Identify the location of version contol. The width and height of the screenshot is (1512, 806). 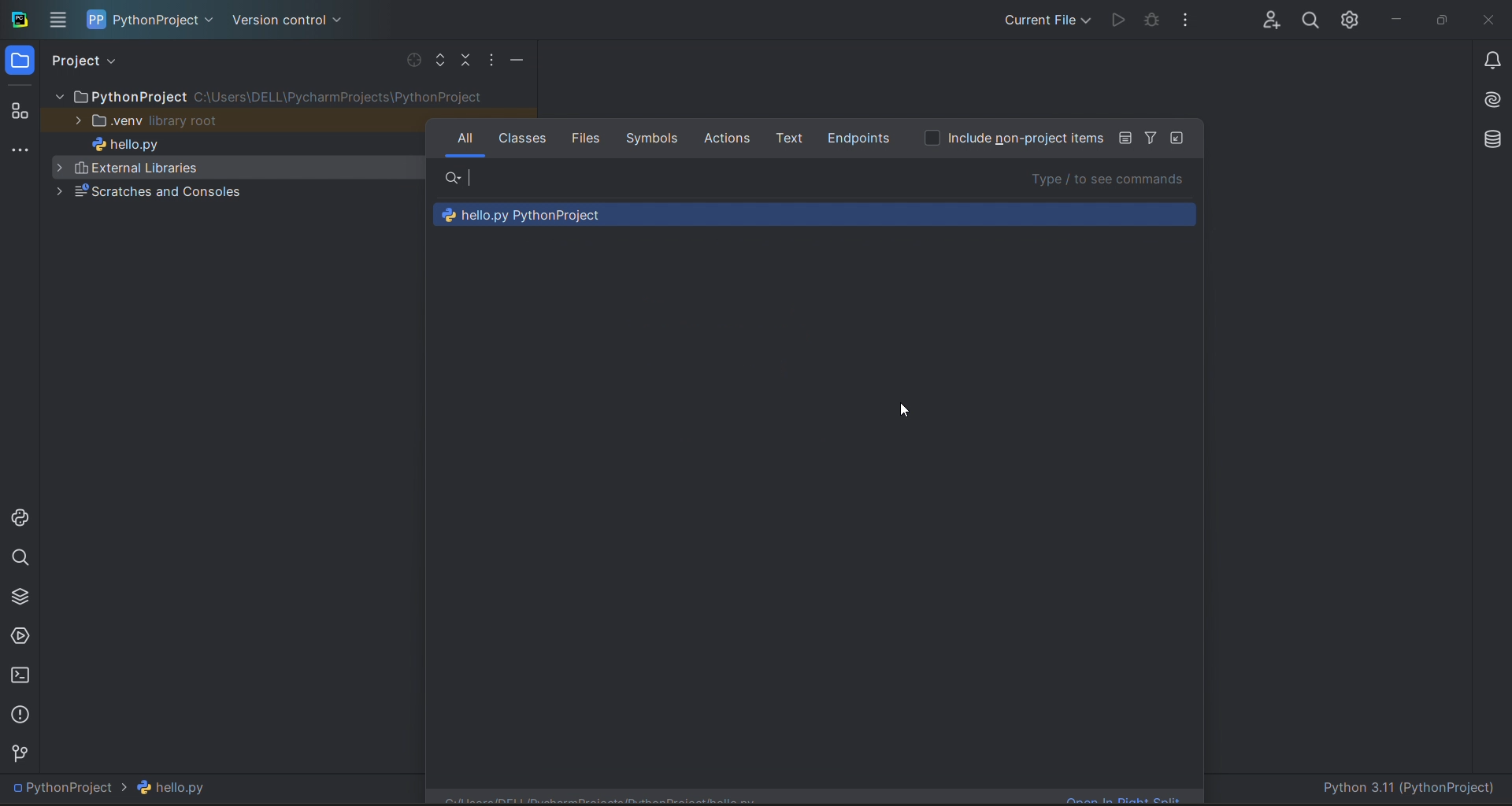
(22, 755).